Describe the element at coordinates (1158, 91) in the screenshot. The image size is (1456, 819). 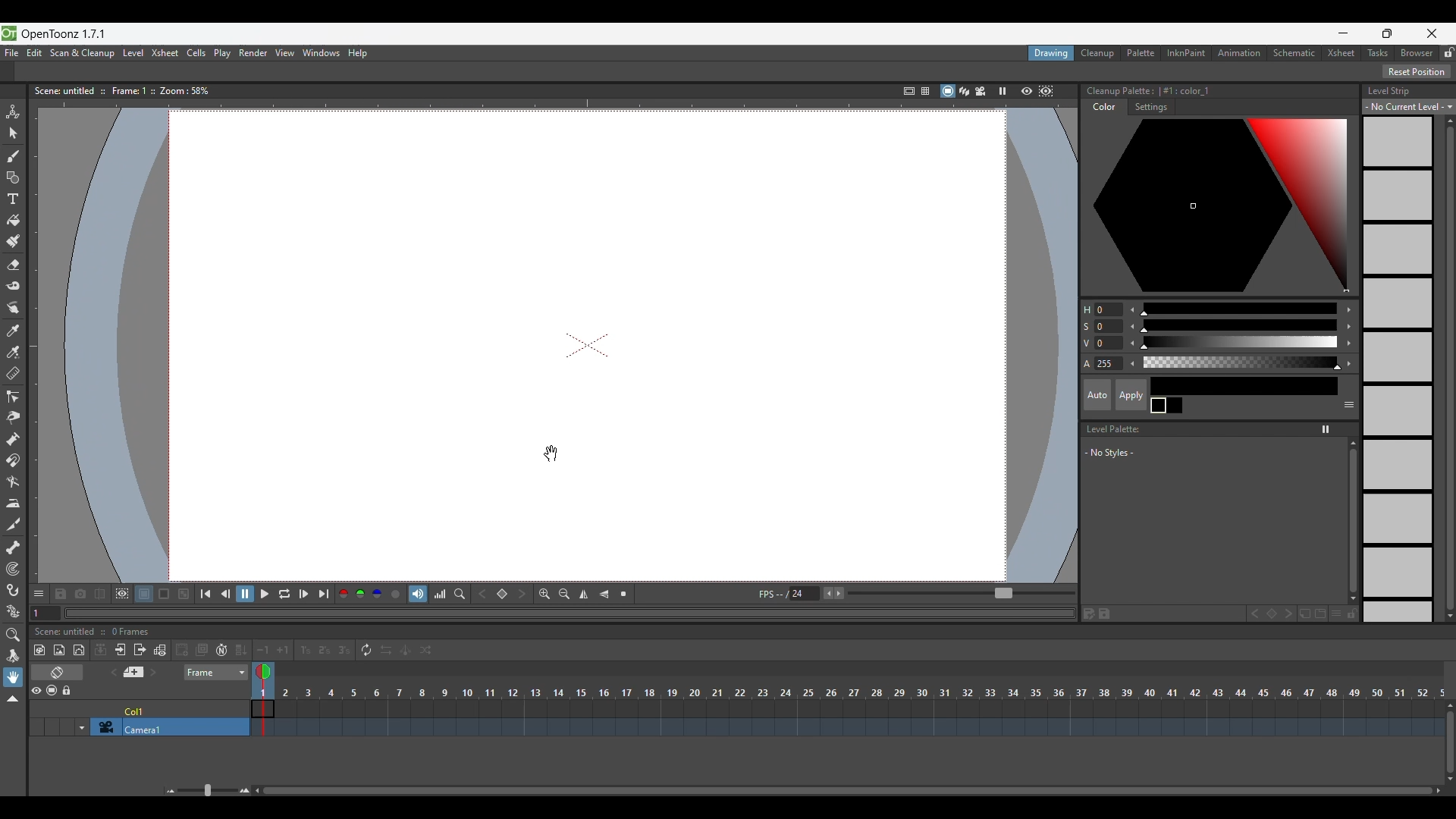
I see `Color palette details` at that location.